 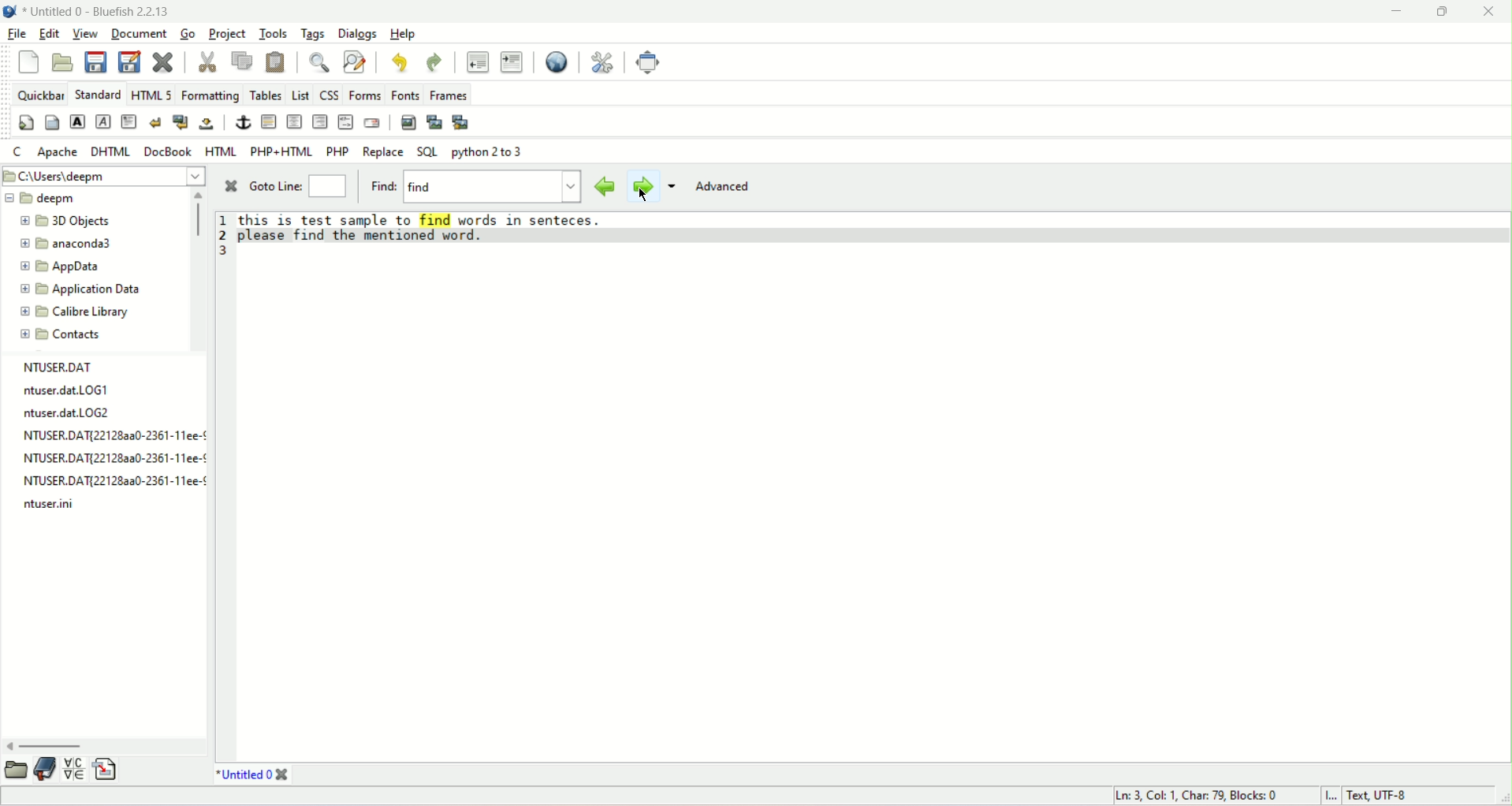 What do you see at coordinates (1490, 14) in the screenshot?
I see `close` at bounding box center [1490, 14].